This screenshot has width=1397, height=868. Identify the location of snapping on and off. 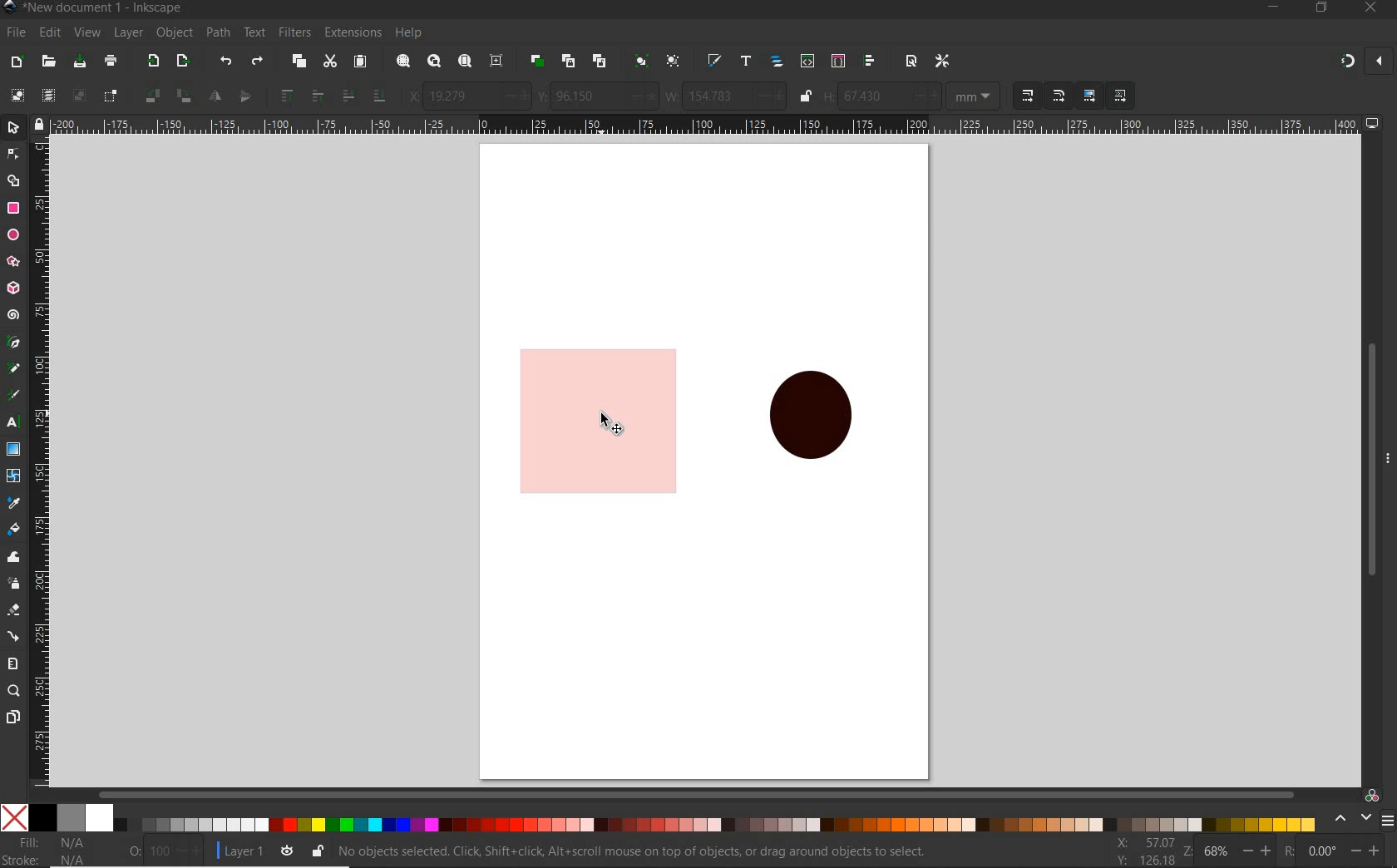
(1365, 60).